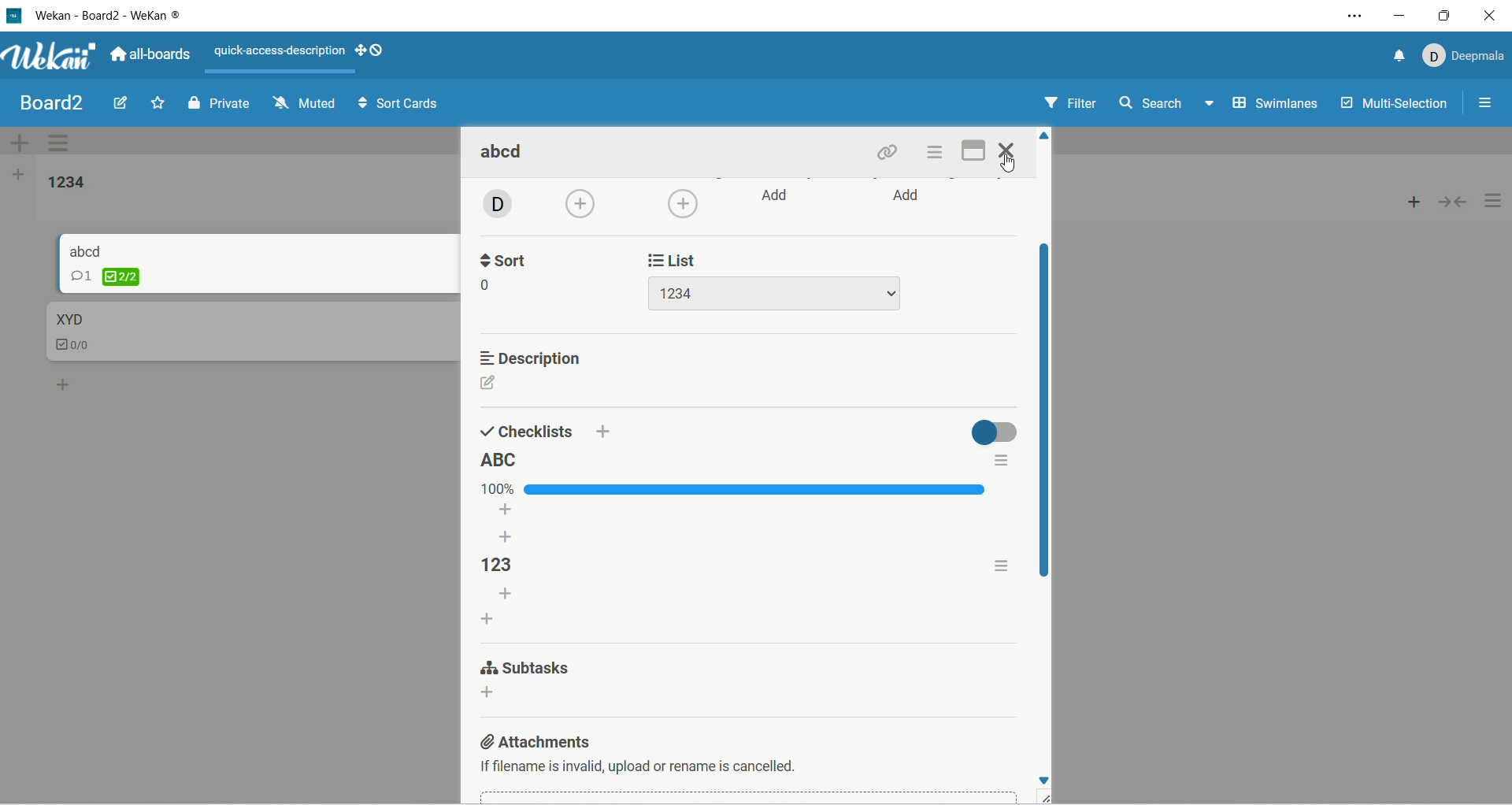 Image resolution: width=1512 pixels, height=805 pixels. I want to click on card title, so click(87, 250).